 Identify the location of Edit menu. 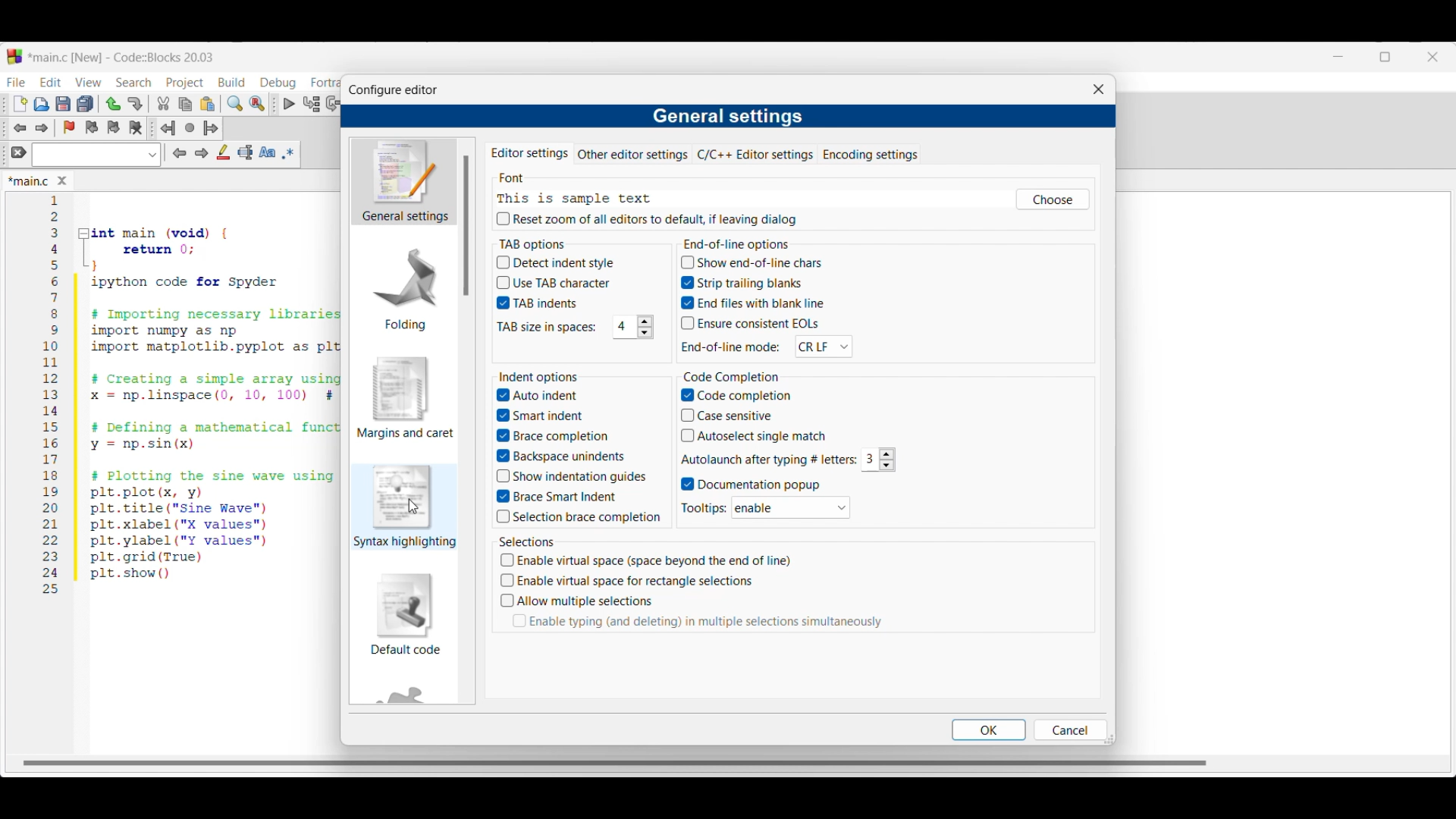
(52, 82).